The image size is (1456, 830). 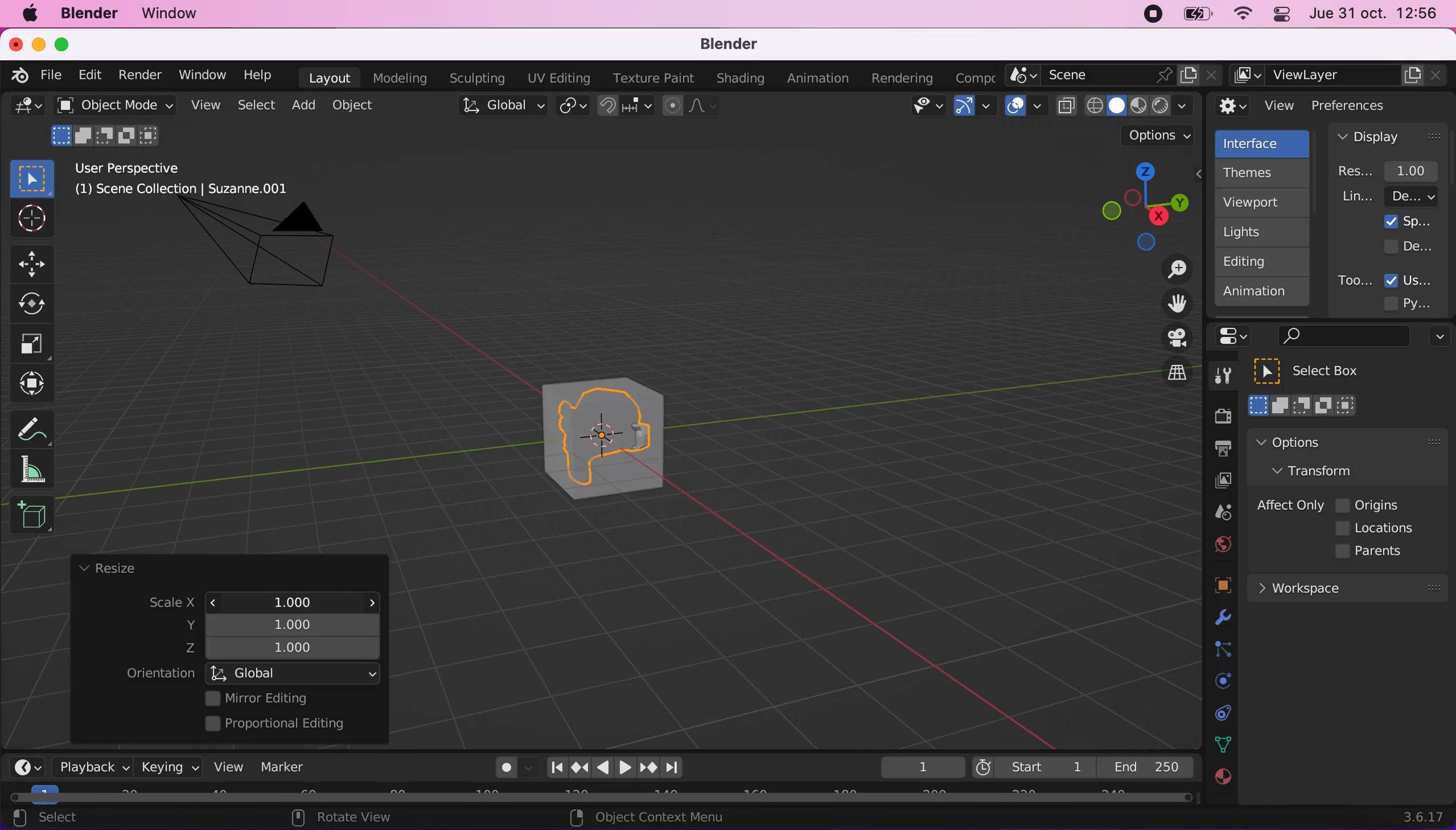 I want to click on close, so click(x=15, y=43).